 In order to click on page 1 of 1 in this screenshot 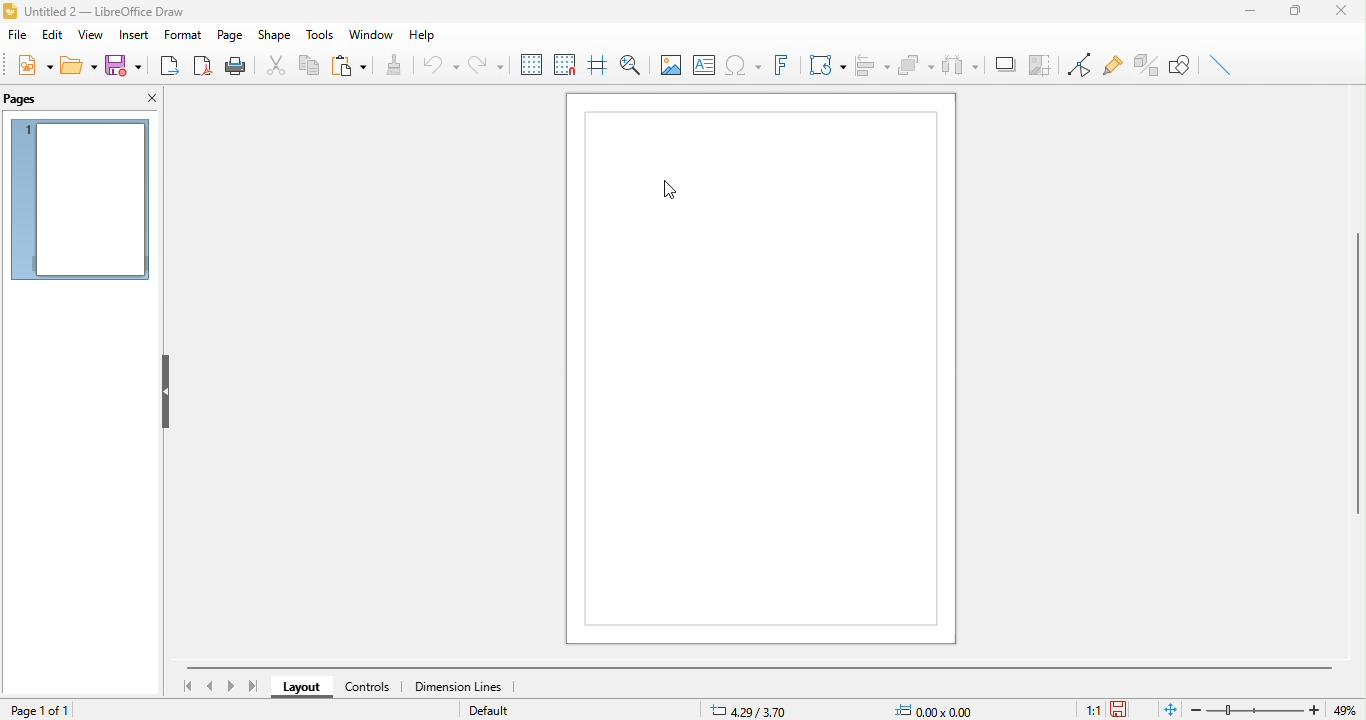, I will do `click(54, 712)`.